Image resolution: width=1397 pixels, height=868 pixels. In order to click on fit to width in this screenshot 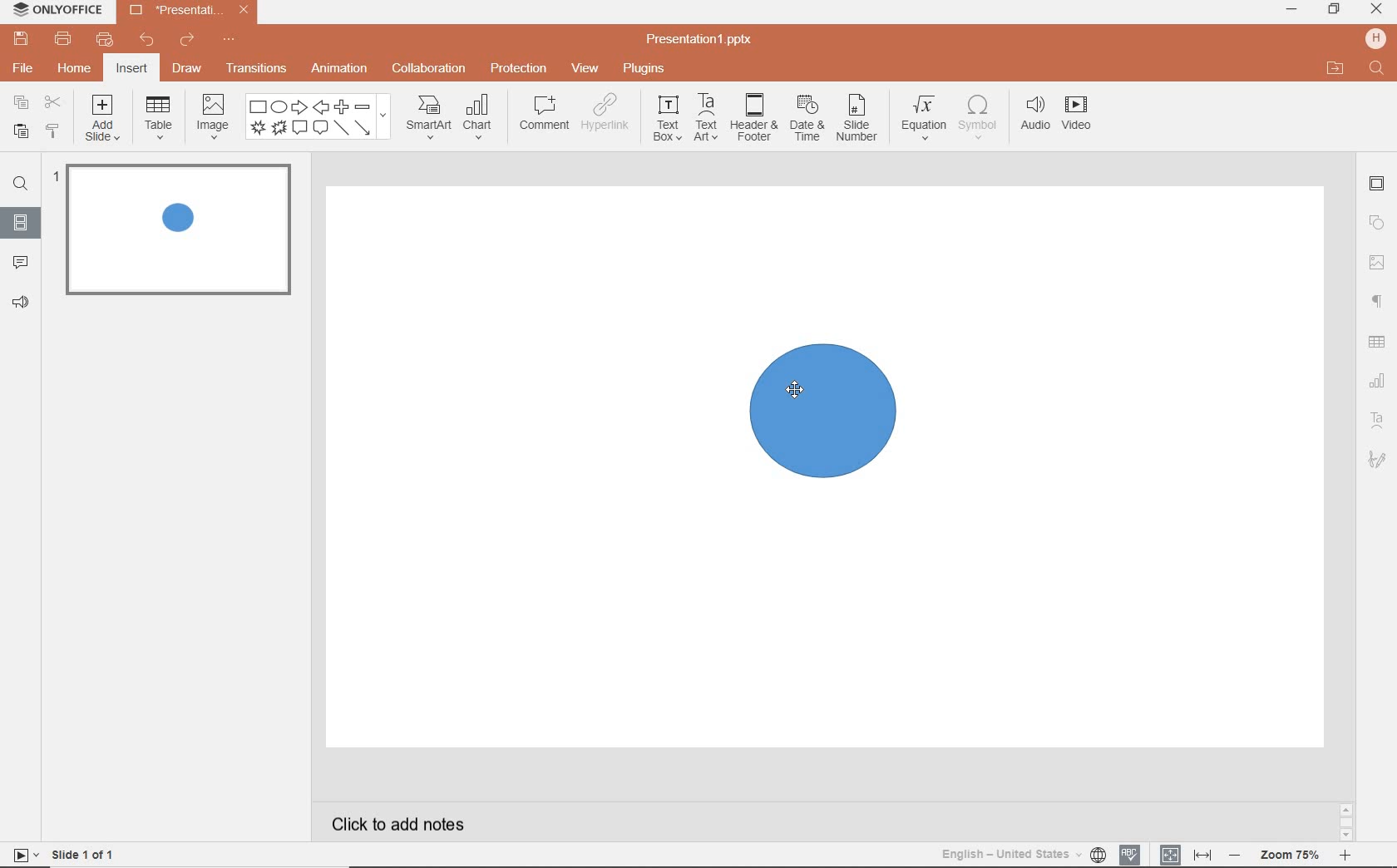, I will do `click(1202, 852)`.